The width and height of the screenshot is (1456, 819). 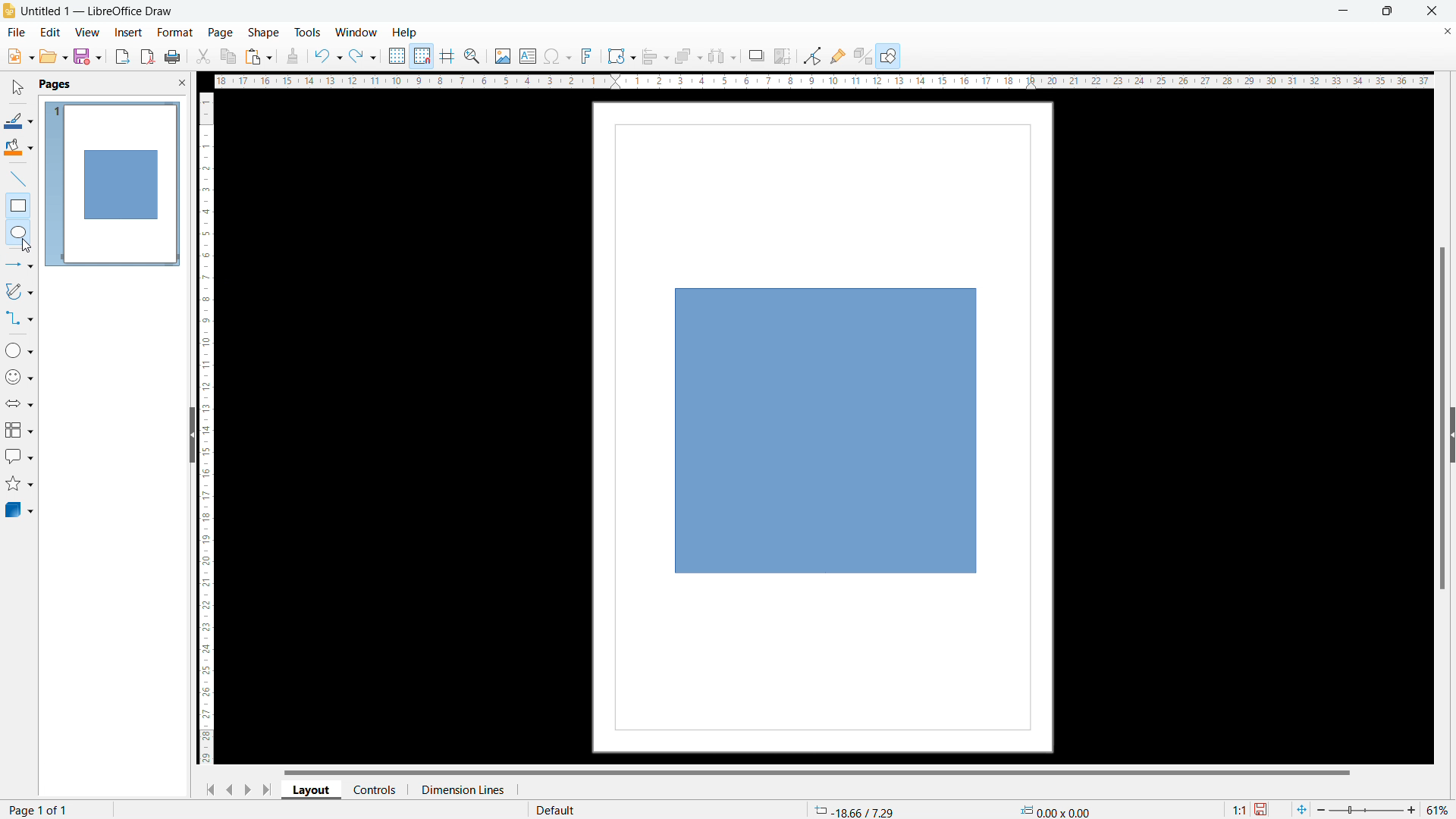 What do you see at coordinates (39, 809) in the screenshot?
I see `current page` at bounding box center [39, 809].